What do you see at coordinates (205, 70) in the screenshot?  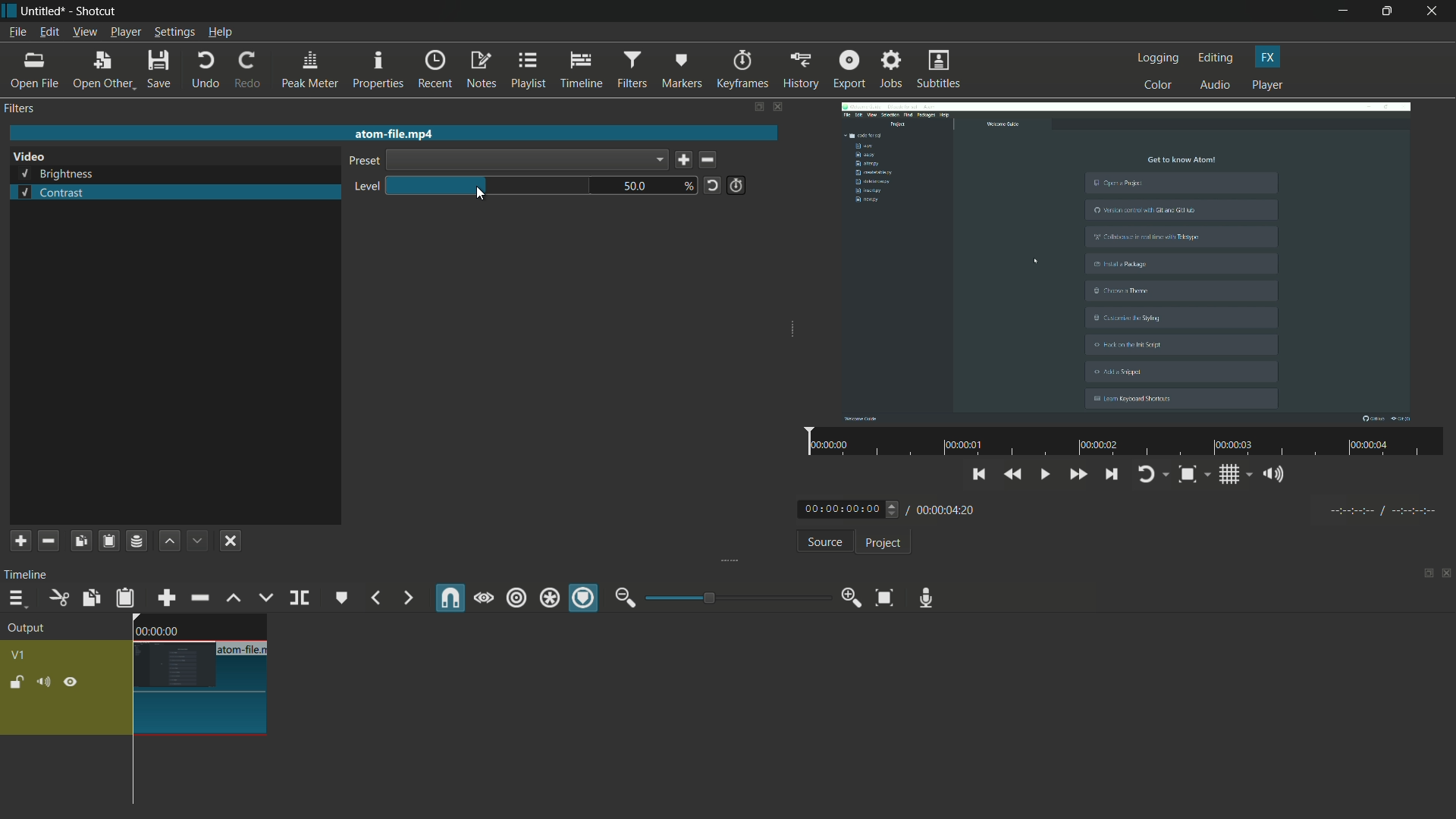 I see `undo` at bounding box center [205, 70].